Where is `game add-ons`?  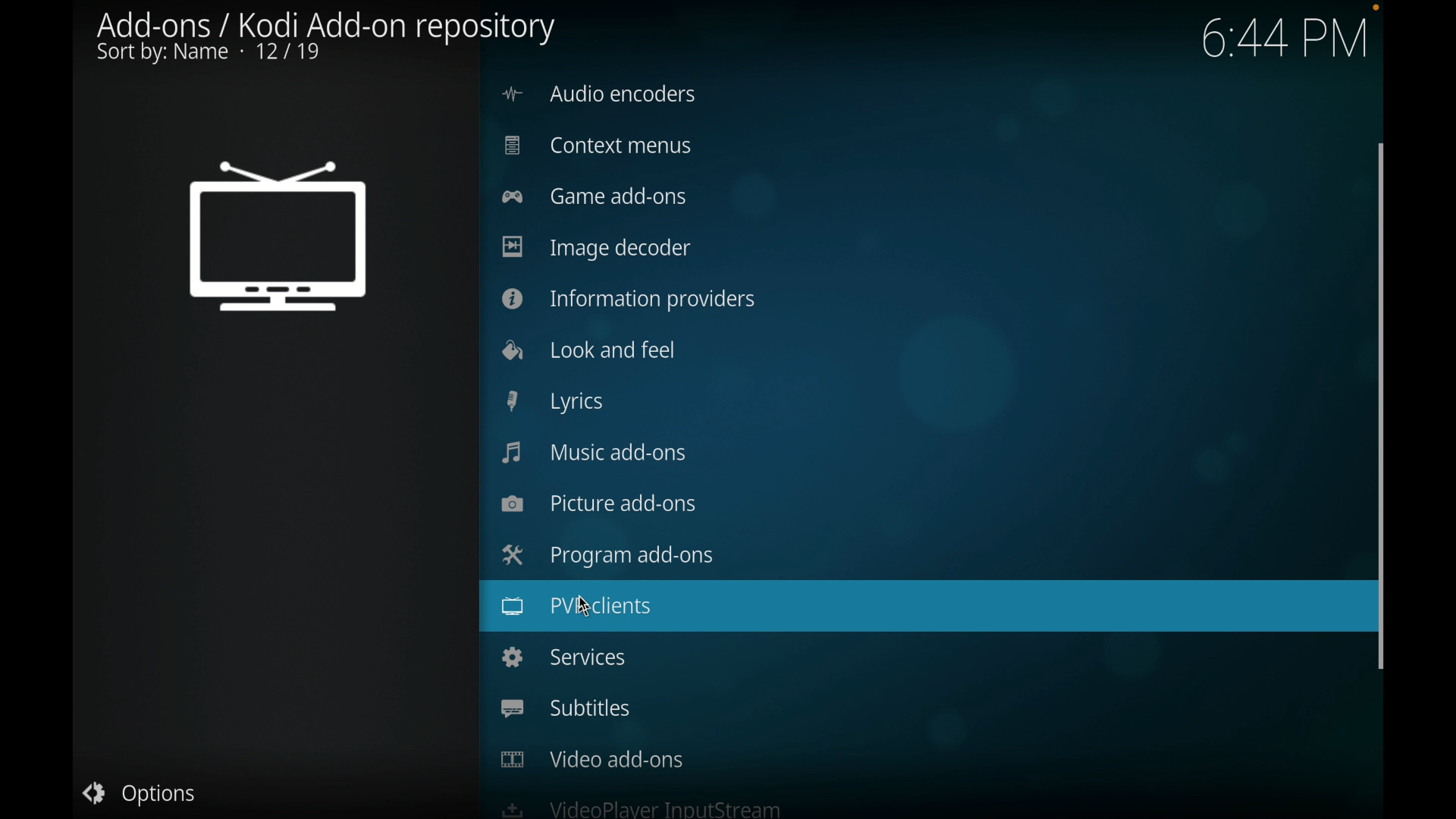 game add-ons is located at coordinates (593, 196).